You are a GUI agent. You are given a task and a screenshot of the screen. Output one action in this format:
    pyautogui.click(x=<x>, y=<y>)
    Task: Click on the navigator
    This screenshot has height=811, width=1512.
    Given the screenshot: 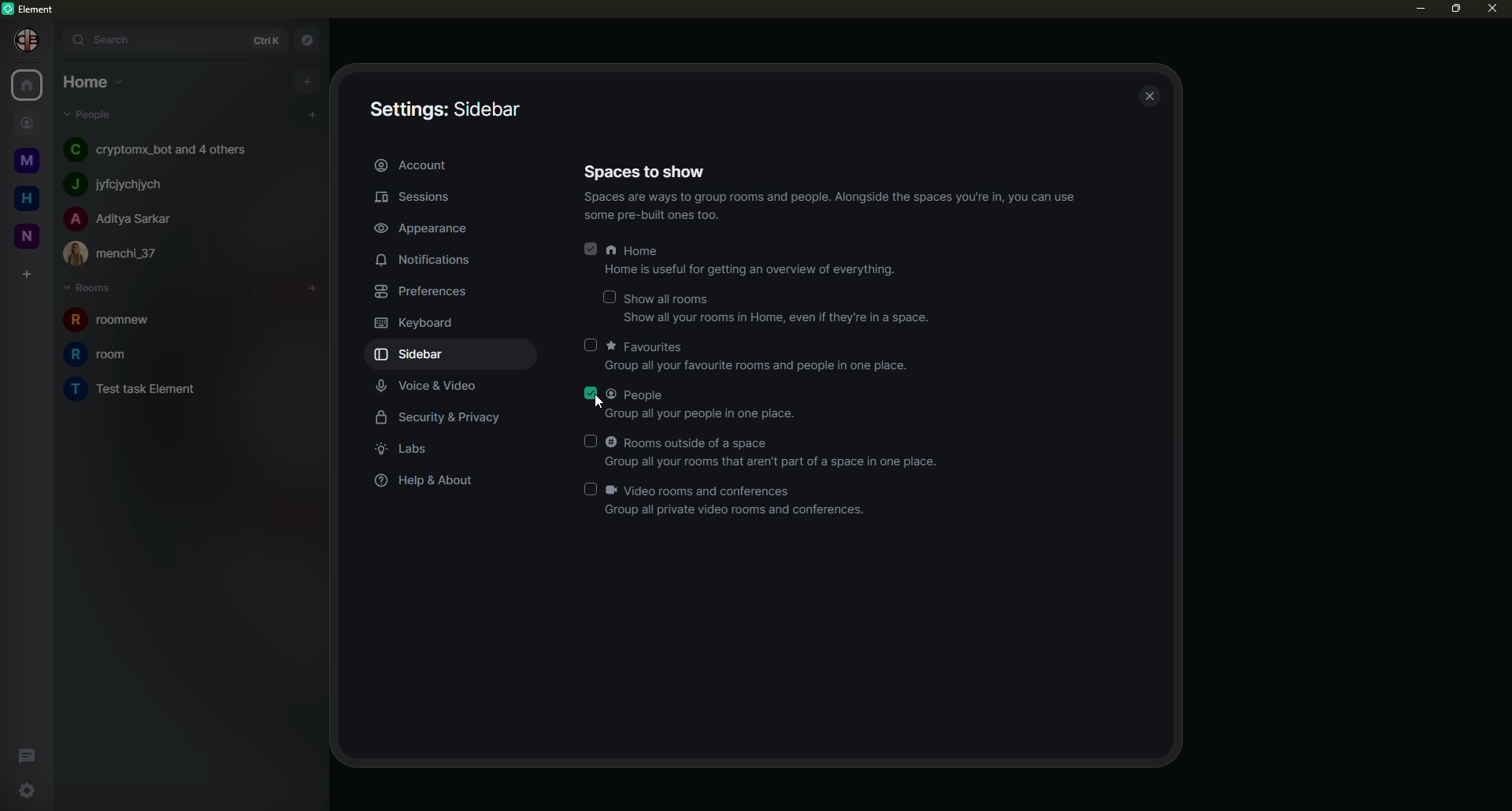 What is the action you would take?
    pyautogui.click(x=306, y=38)
    